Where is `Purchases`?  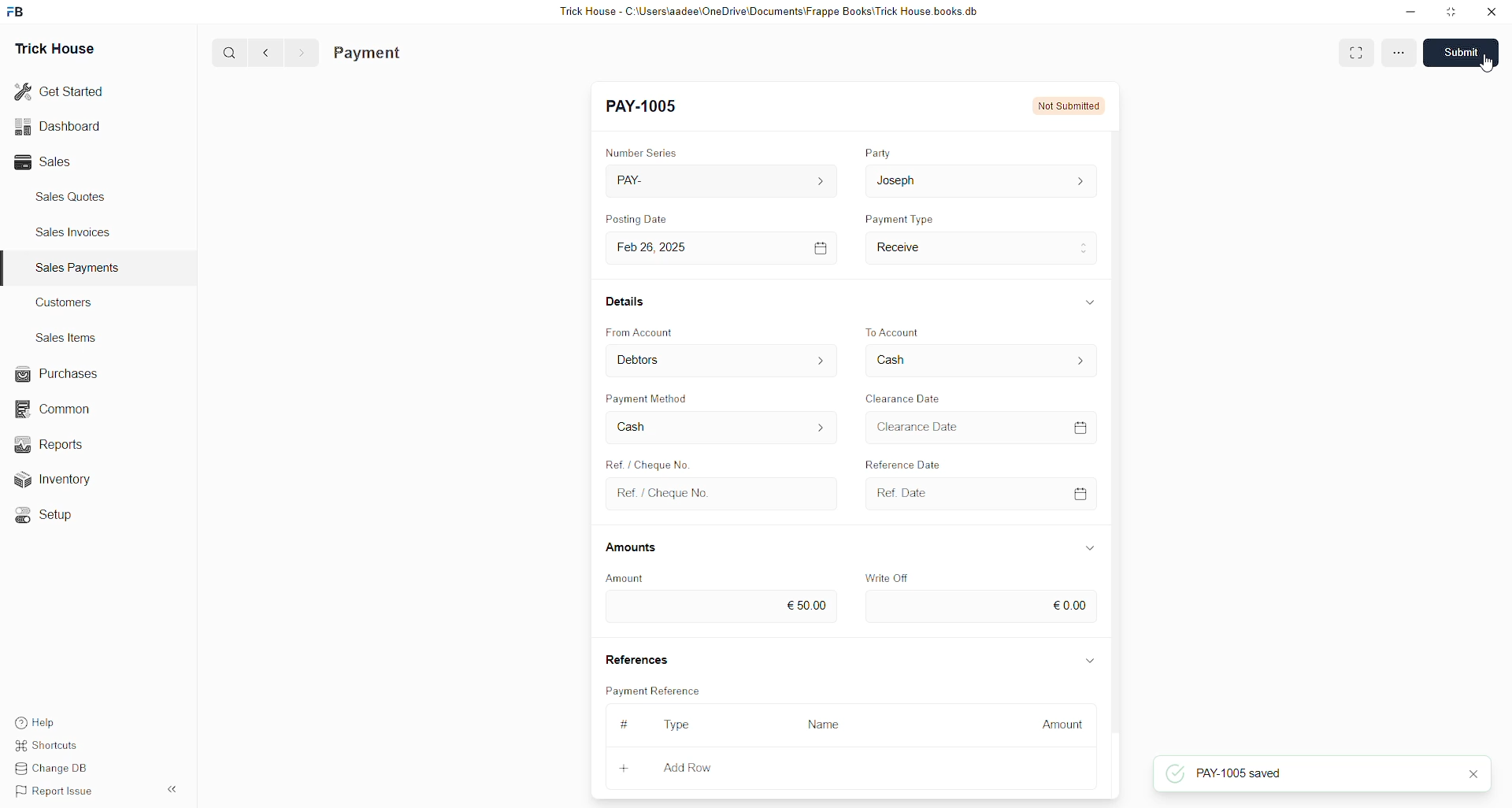 Purchases is located at coordinates (60, 374).